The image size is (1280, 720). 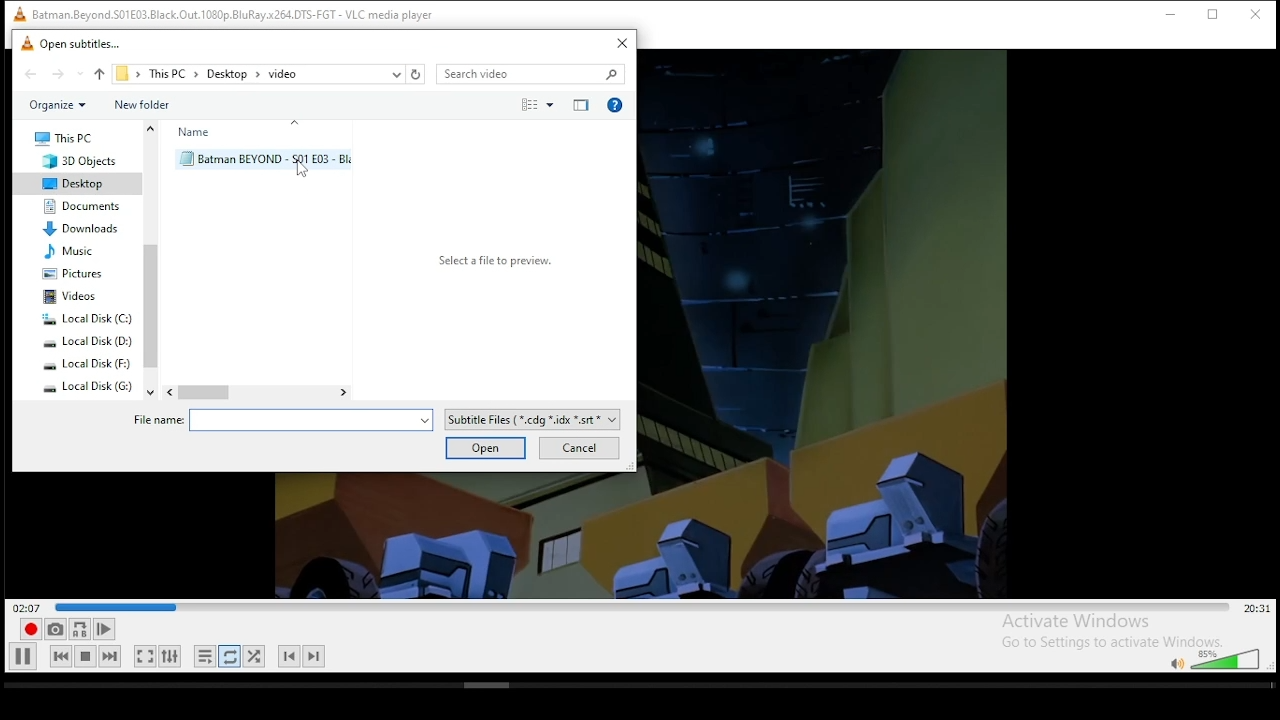 What do you see at coordinates (56, 104) in the screenshot?
I see `organize` at bounding box center [56, 104].